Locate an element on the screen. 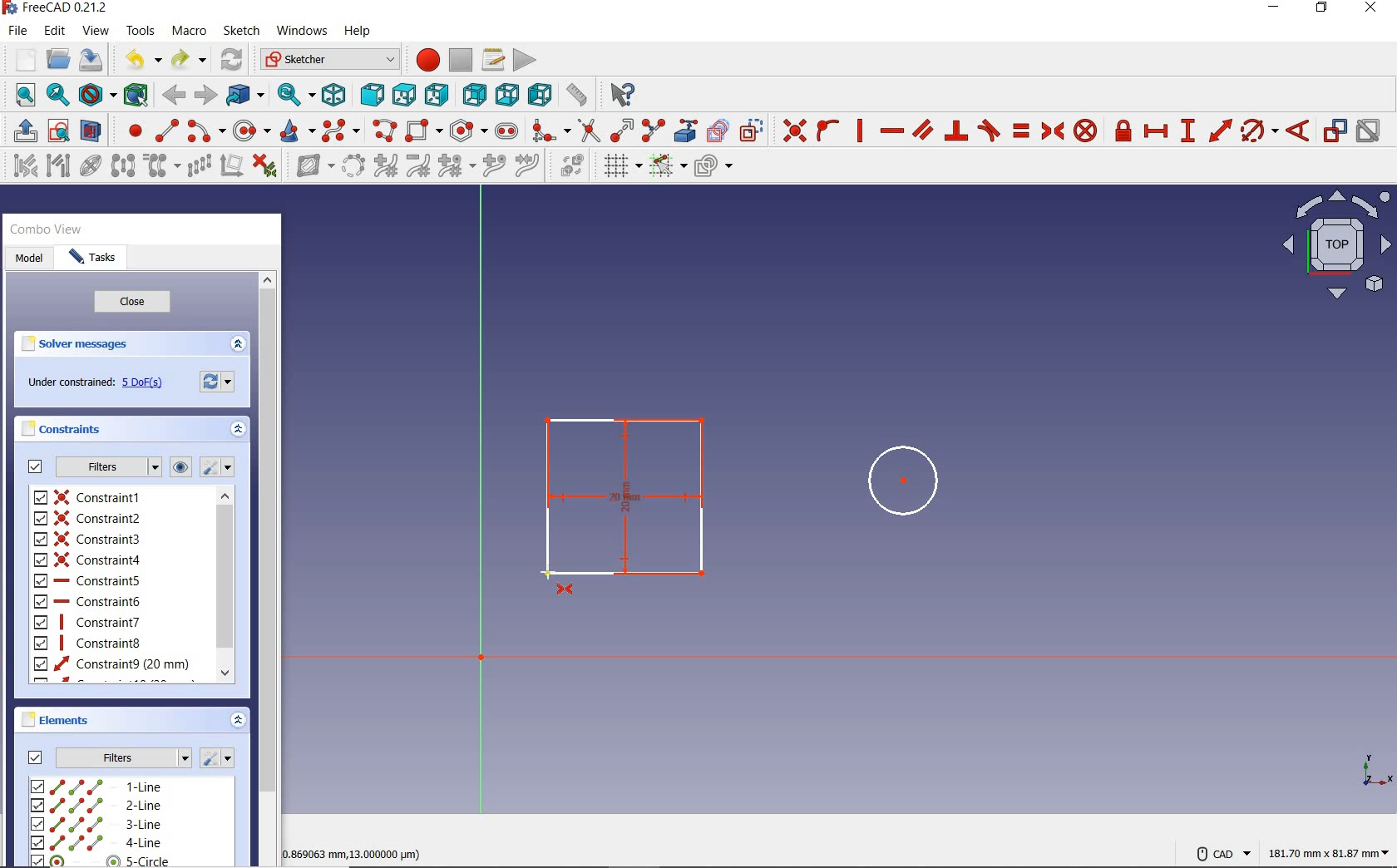 This screenshot has width=1397, height=868. constraint5 is located at coordinates (87, 580).